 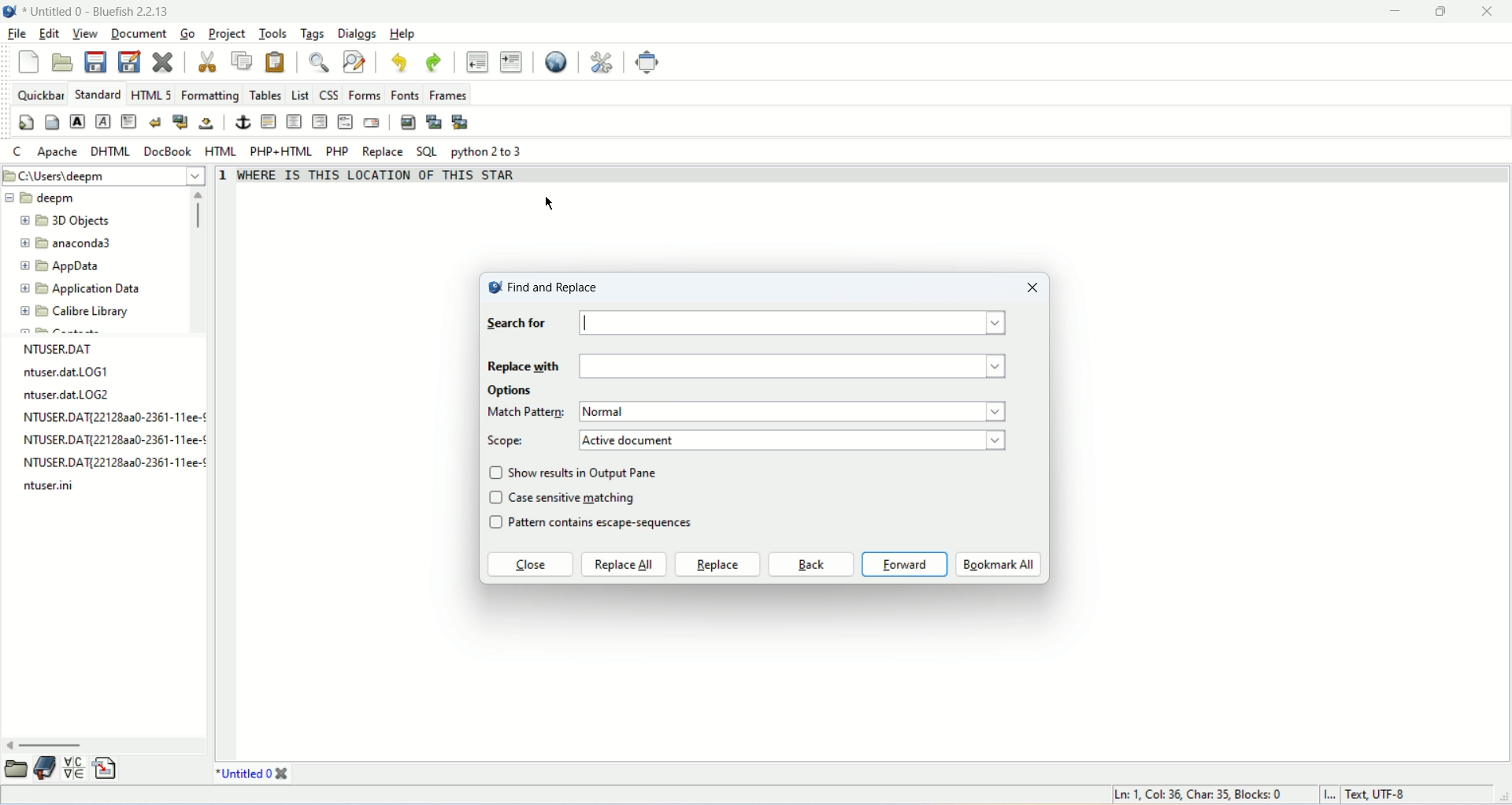 What do you see at coordinates (717, 564) in the screenshot?
I see `raplace` at bounding box center [717, 564].